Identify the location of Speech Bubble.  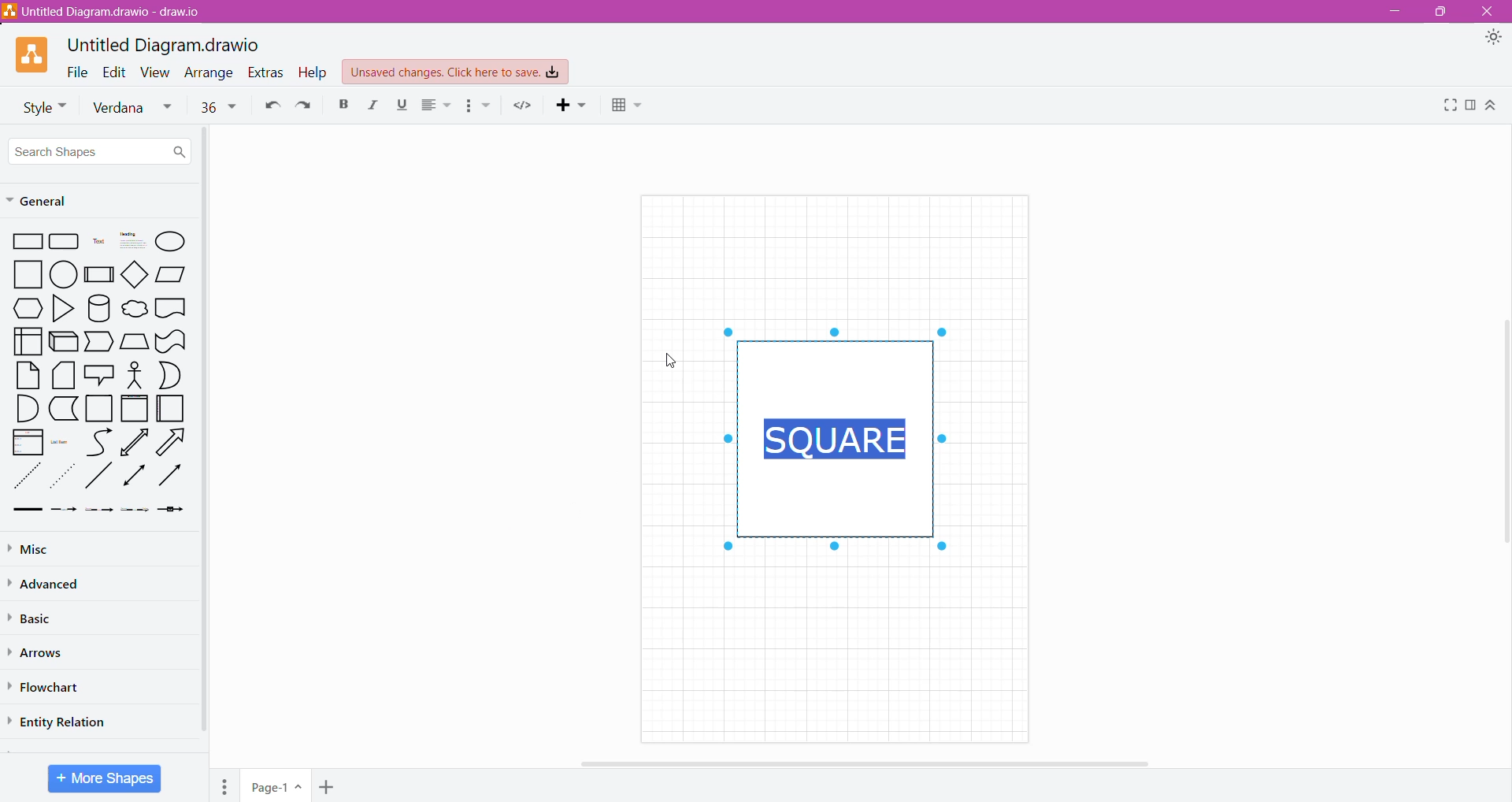
(100, 373).